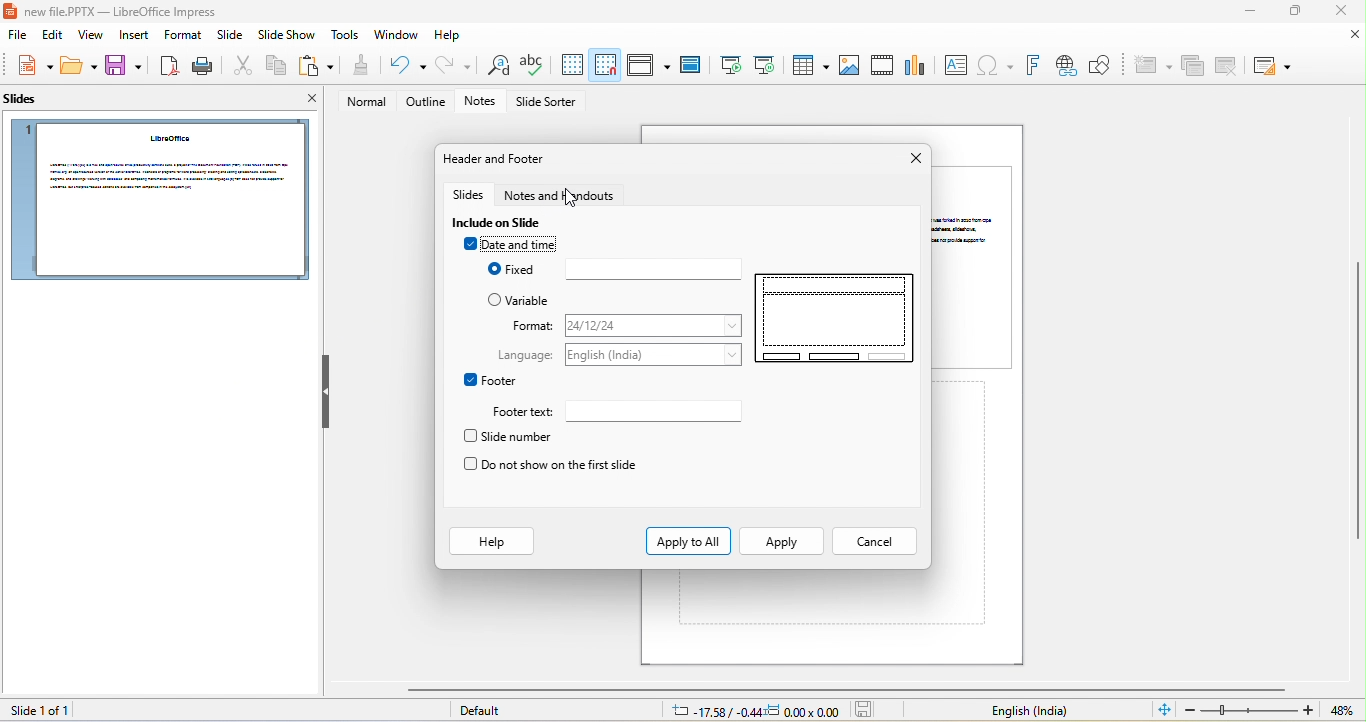  What do you see at coordinates (497, 159) in the screenshot?
I see `header and footer` at bounding box center [497, 159].